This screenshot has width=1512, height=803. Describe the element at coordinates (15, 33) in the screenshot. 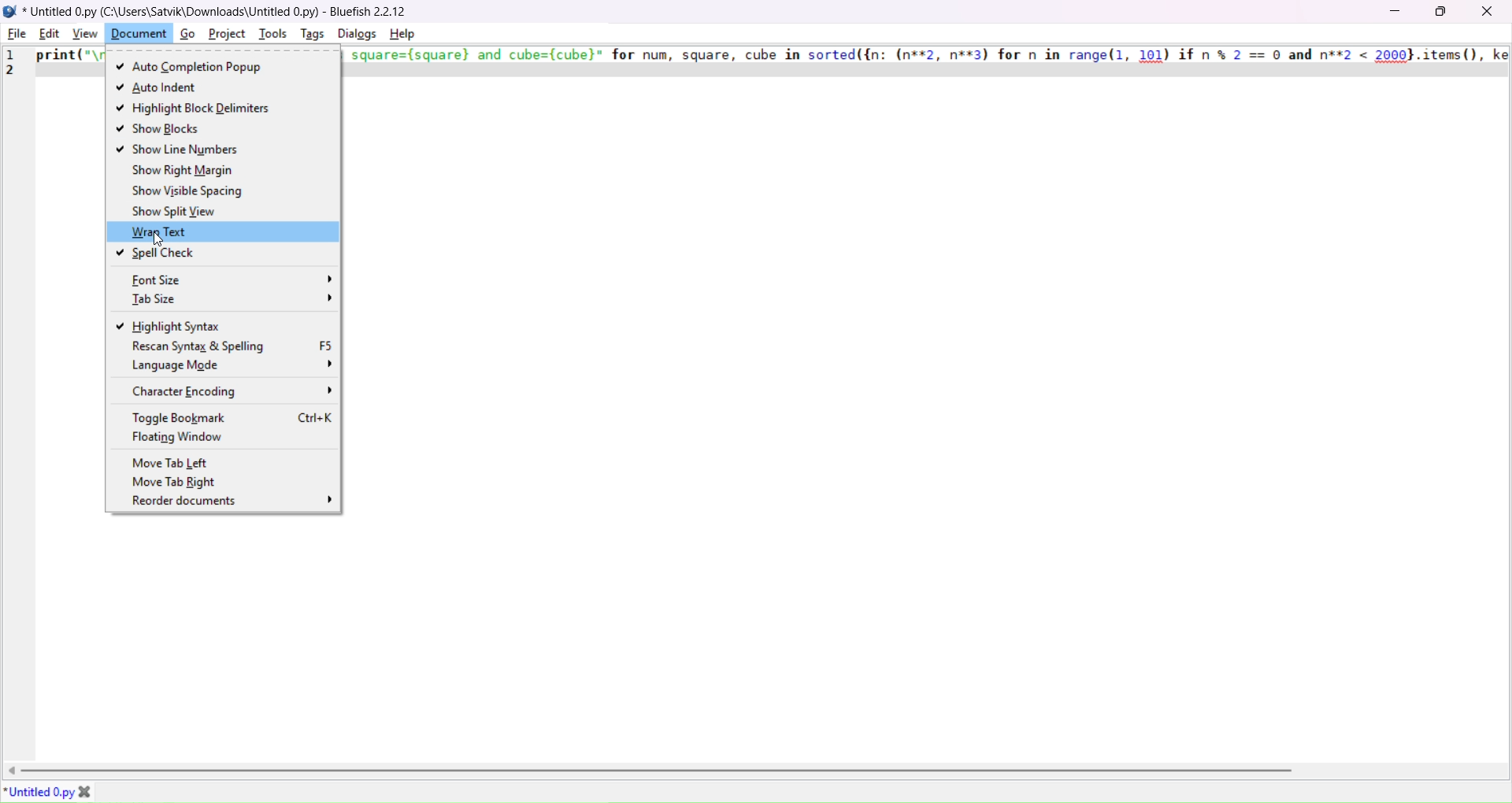

I see `file` at that location.